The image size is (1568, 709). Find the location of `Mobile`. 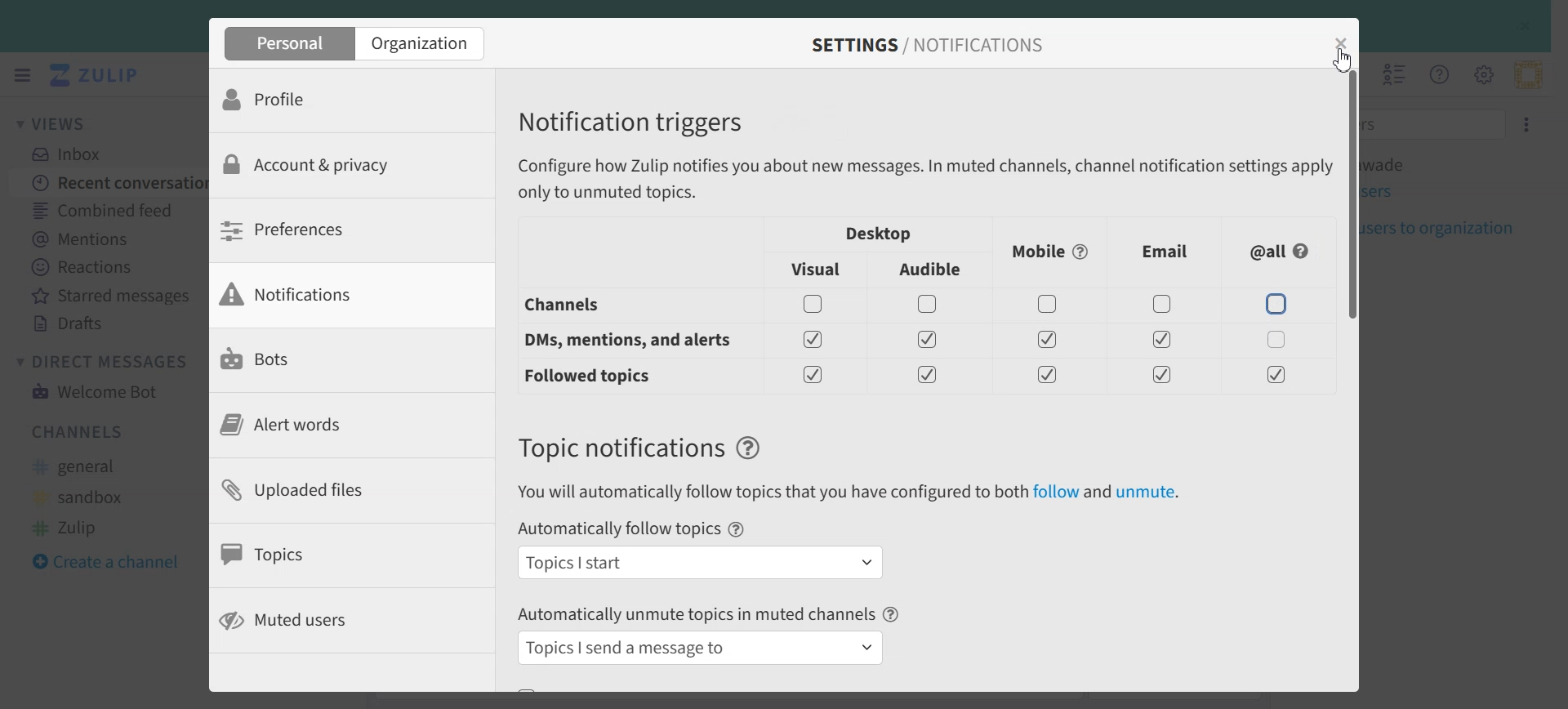

Mobile is located at coordinates (1051, 252).